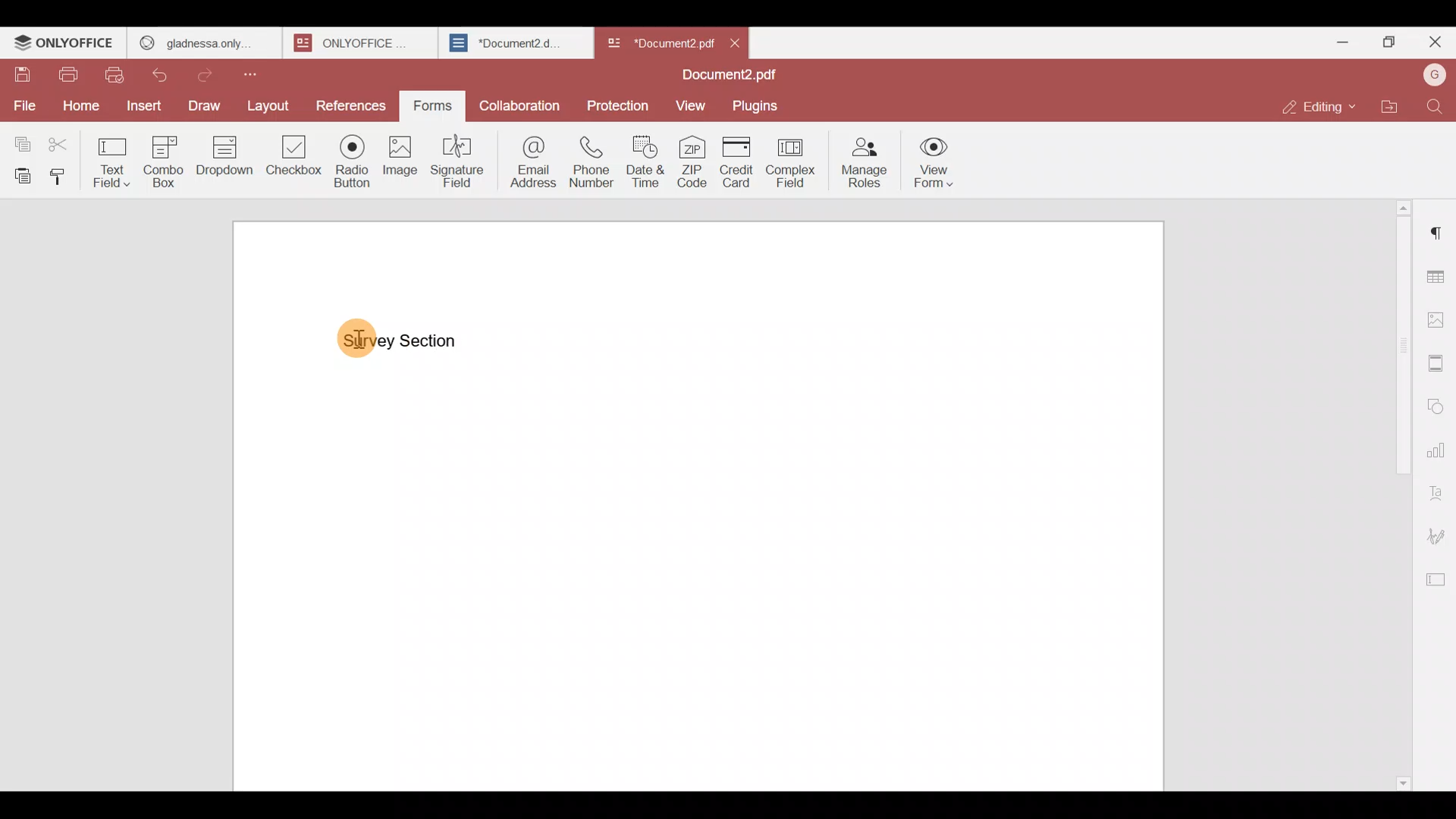 This screenshot has width=1456, height=819. I want to click on Paste, so click(18, 173).